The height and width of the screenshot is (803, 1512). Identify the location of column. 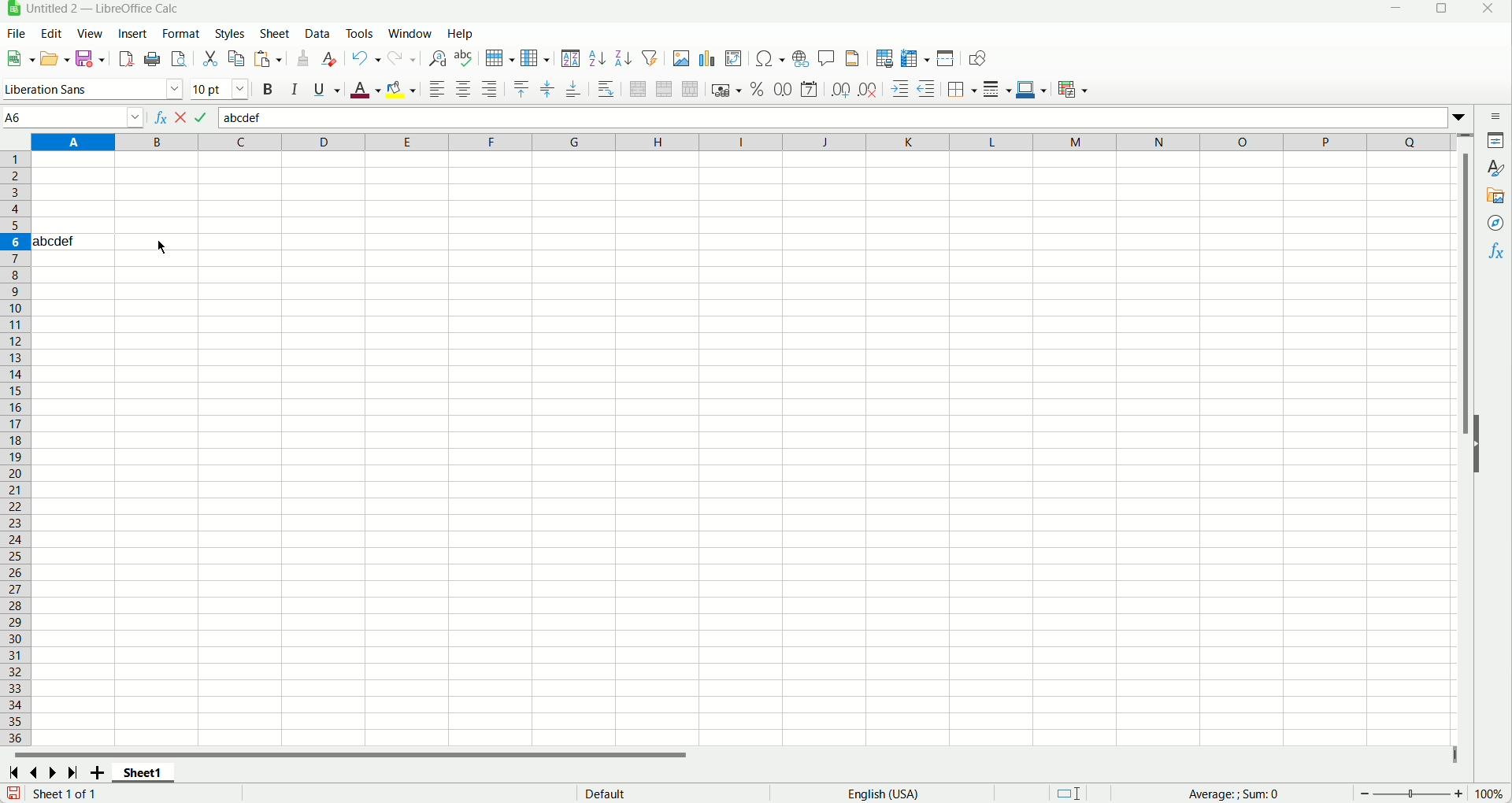
(535, 59).